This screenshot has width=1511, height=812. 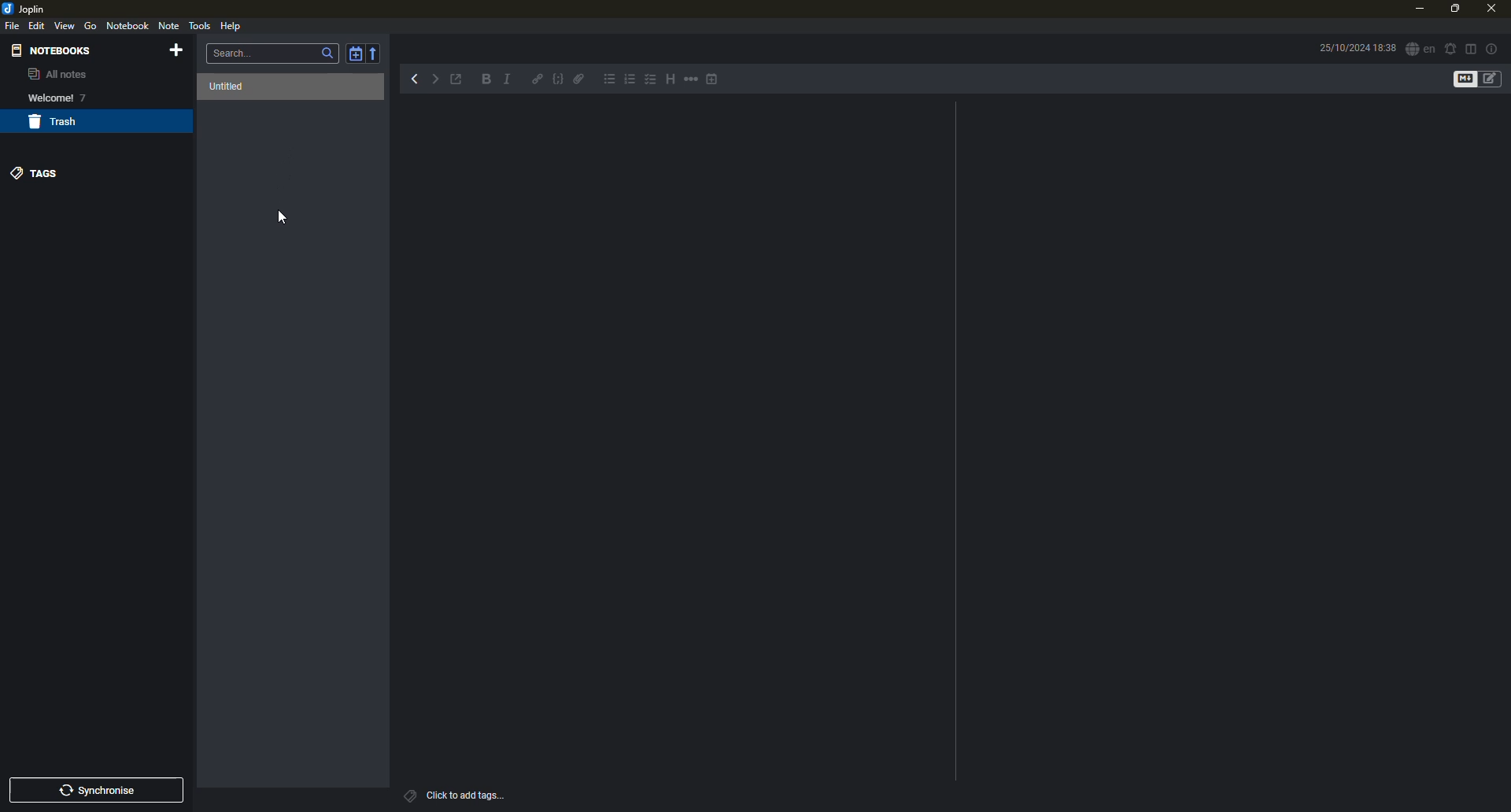 I want to click on maximize, so click(x=1453, y=9).